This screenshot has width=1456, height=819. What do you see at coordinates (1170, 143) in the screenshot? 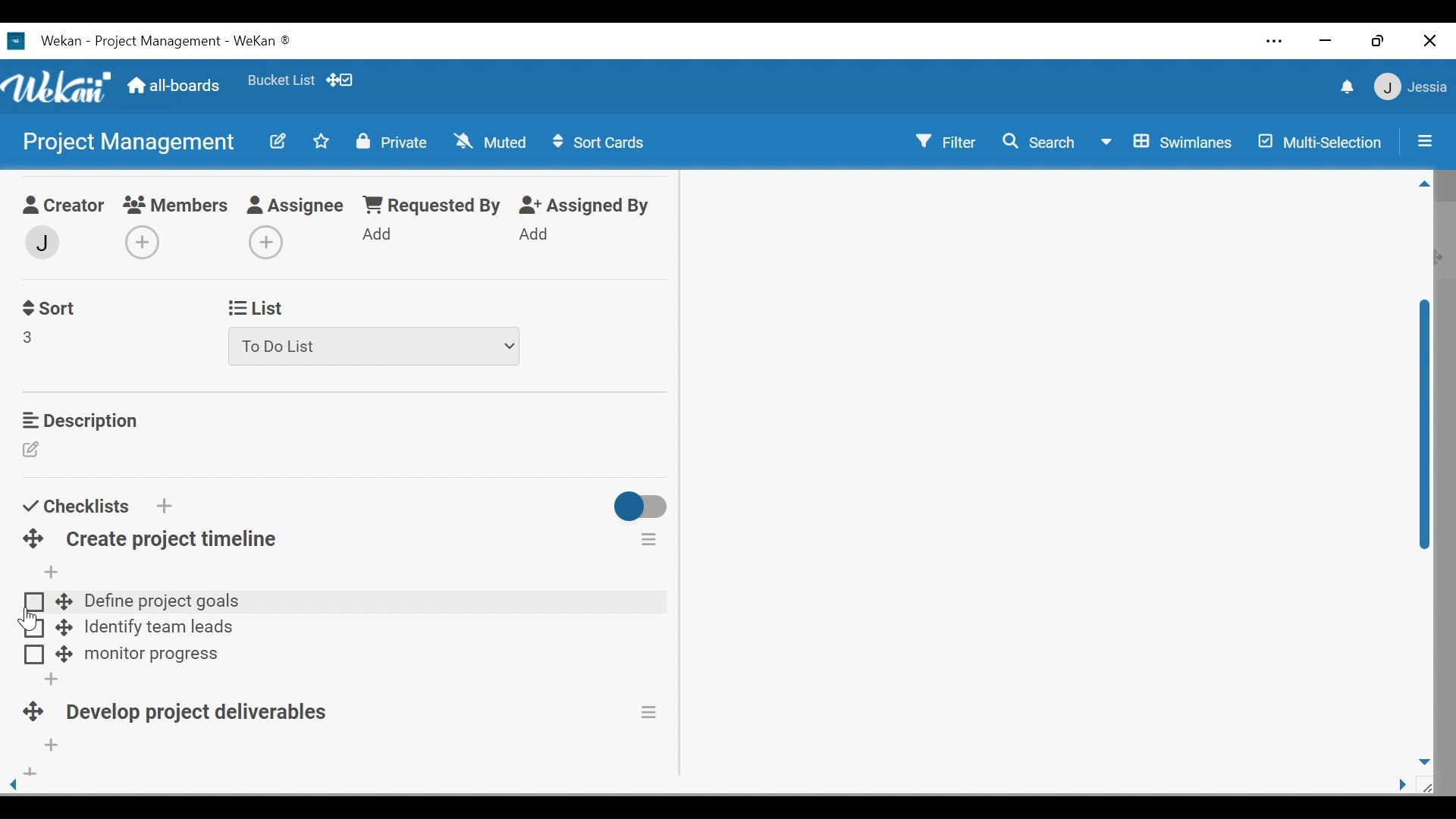
I see `Board View` at bounding box center [1170, 143].